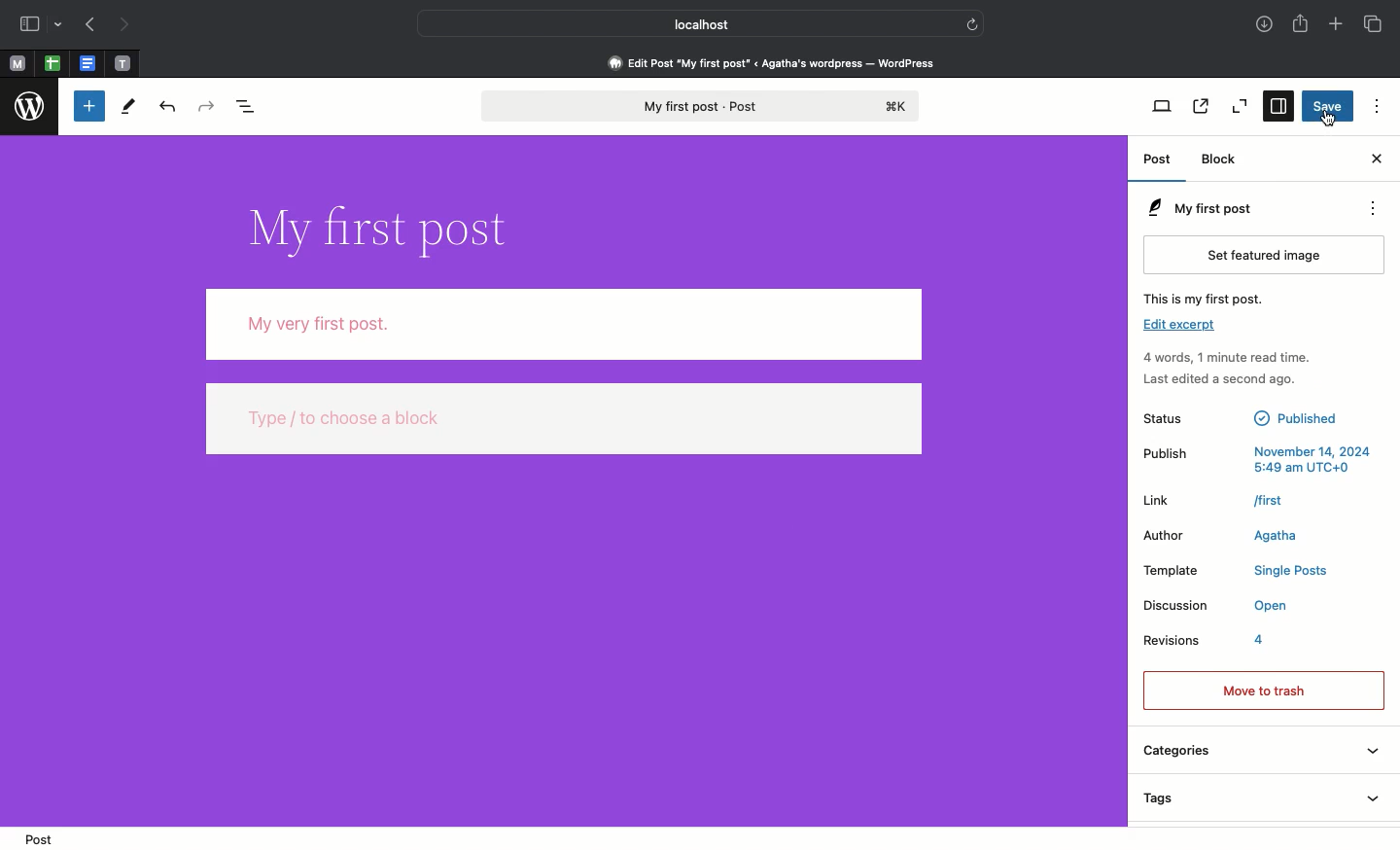 The image size is (1400, 850). I want to click on Downloads, so click(1263, 25).